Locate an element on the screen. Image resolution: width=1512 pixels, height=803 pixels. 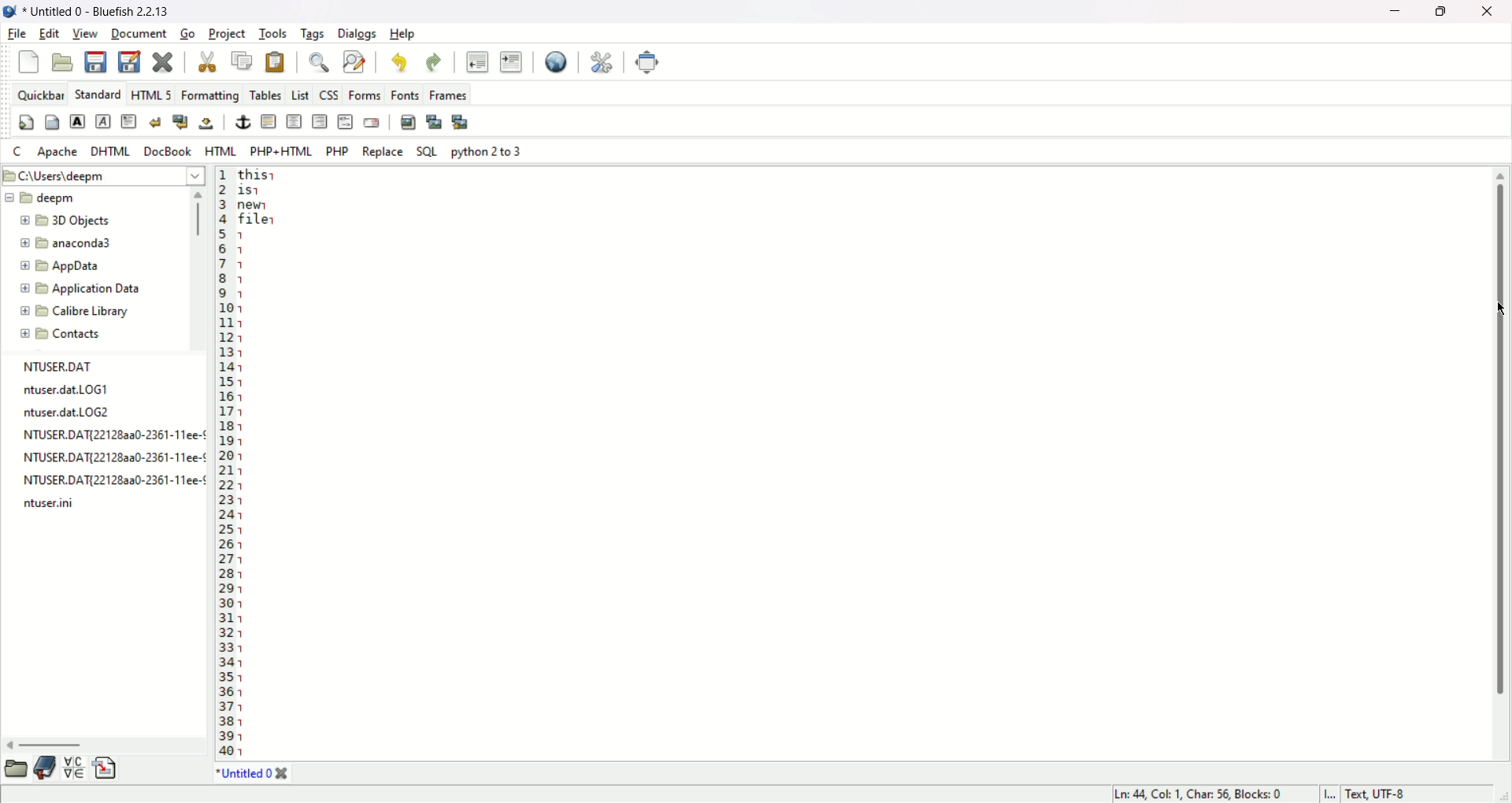
view is located at coordinates (86, 33).